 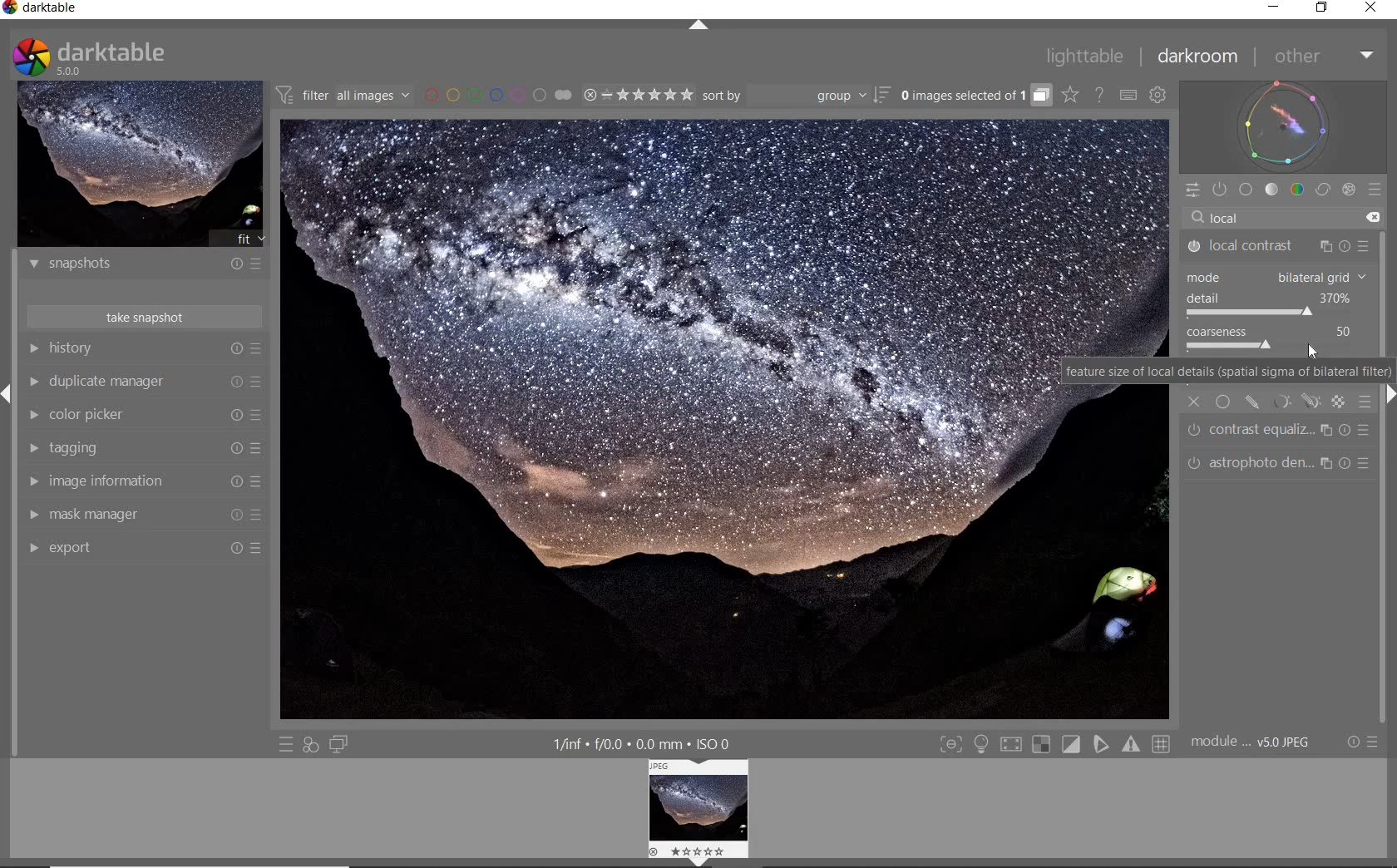 I want to click on TOGGLE MODES, so click(x=1055, y=744).